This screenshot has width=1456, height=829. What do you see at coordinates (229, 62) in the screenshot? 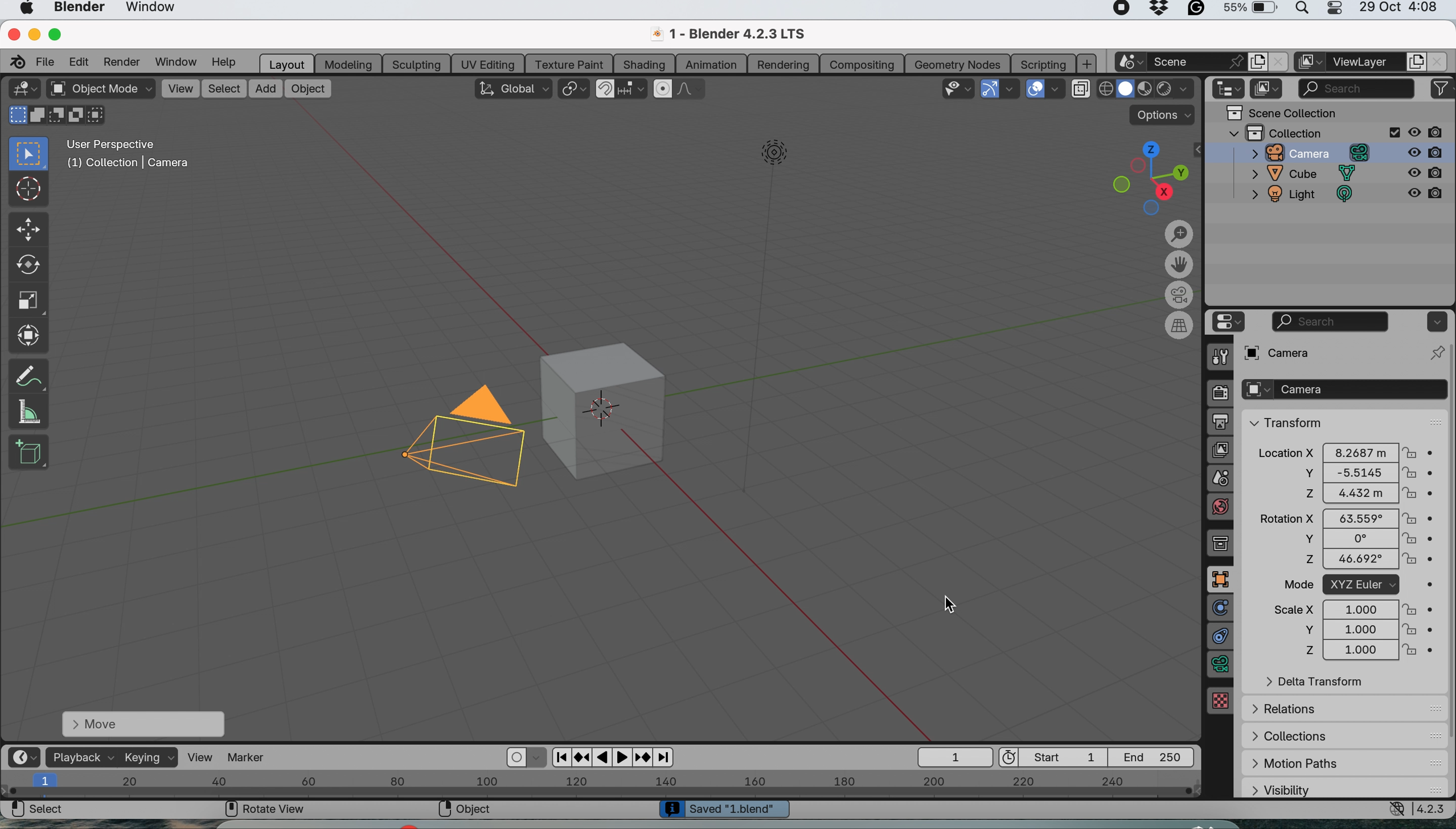
I see `help` at bounding box center [229, 62].